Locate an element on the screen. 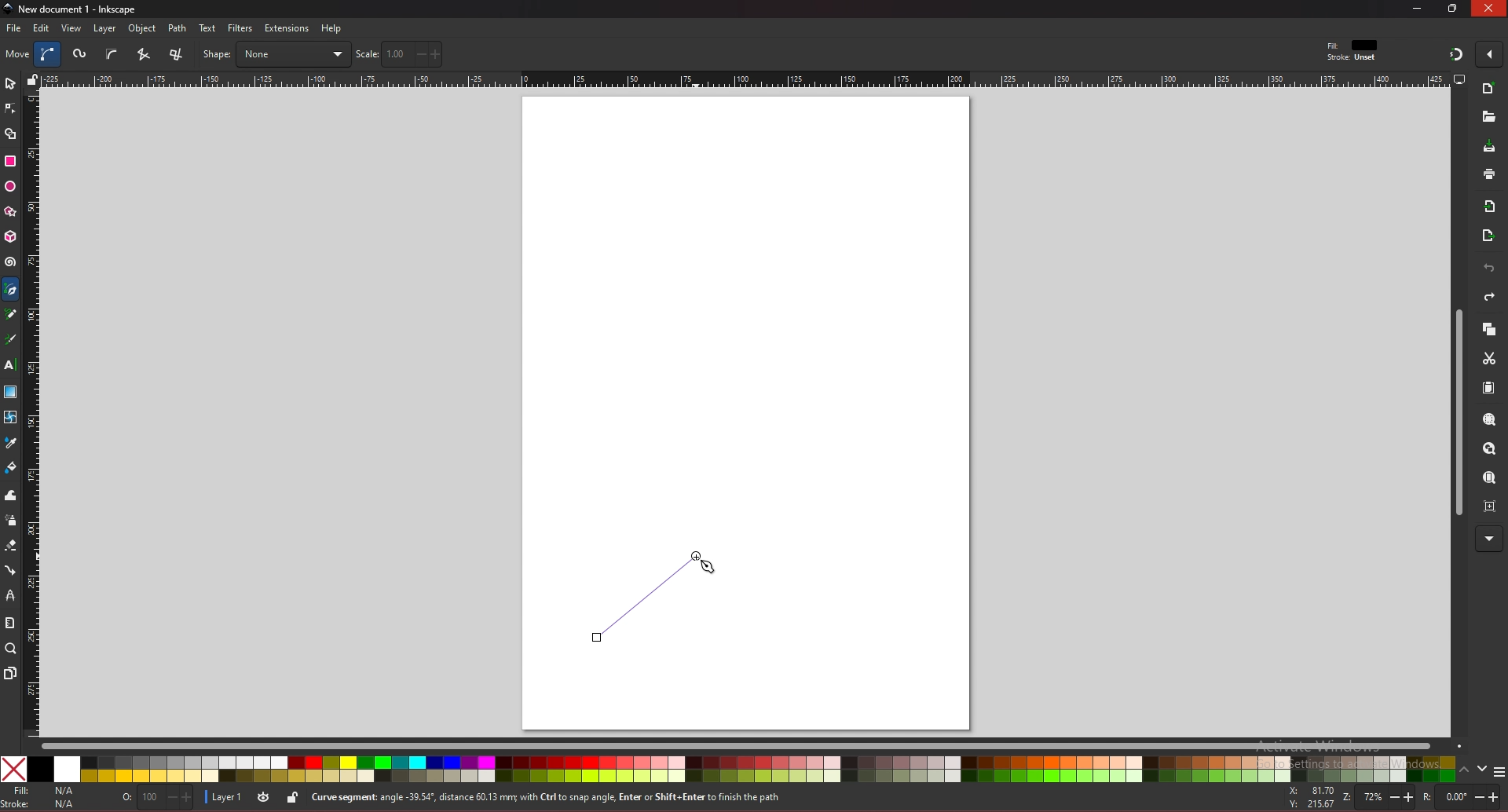  dropper is located at coordinates (11, 444).